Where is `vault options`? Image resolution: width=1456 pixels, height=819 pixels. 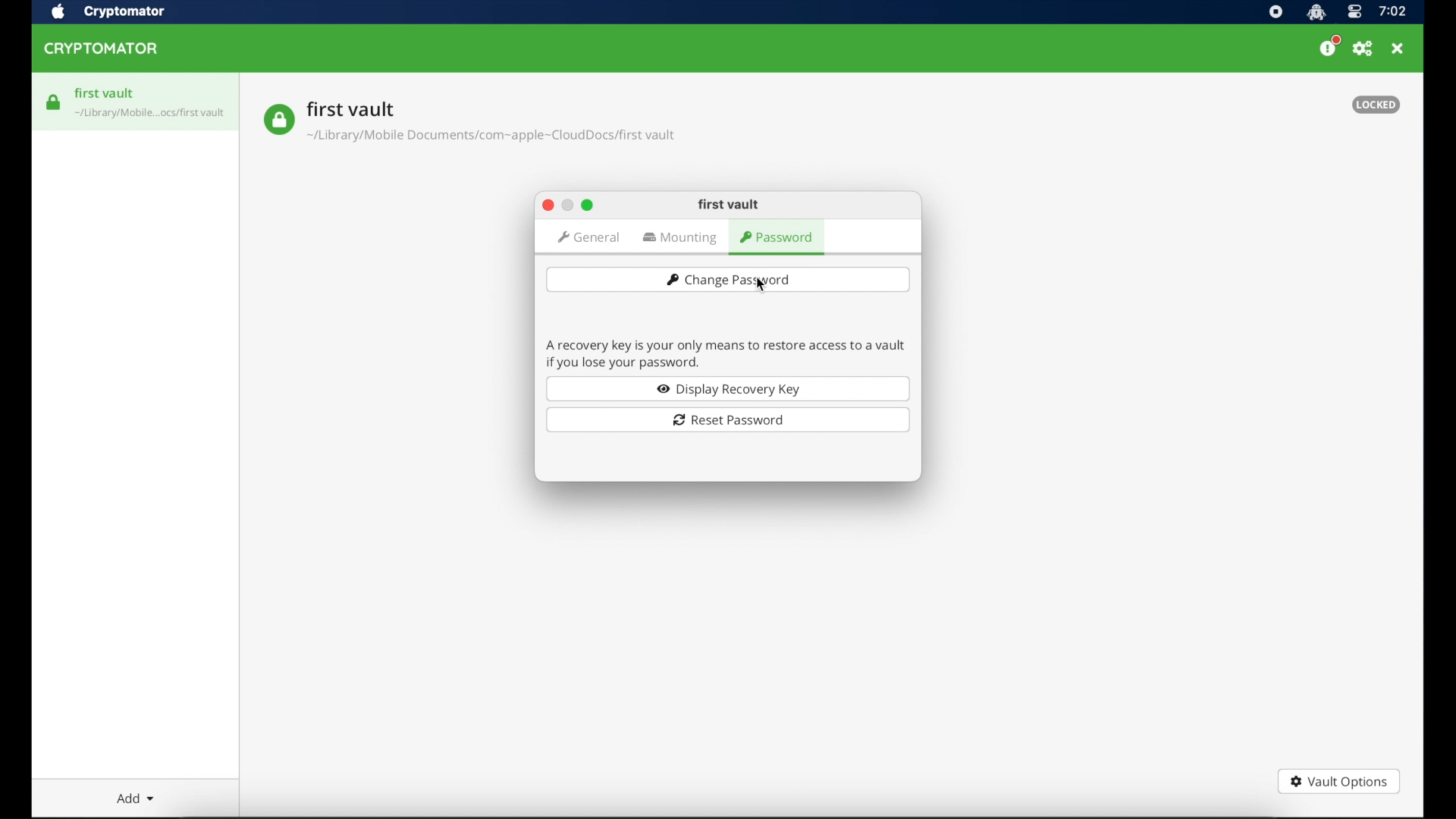 vault options is located at coordinates (1338, 783).